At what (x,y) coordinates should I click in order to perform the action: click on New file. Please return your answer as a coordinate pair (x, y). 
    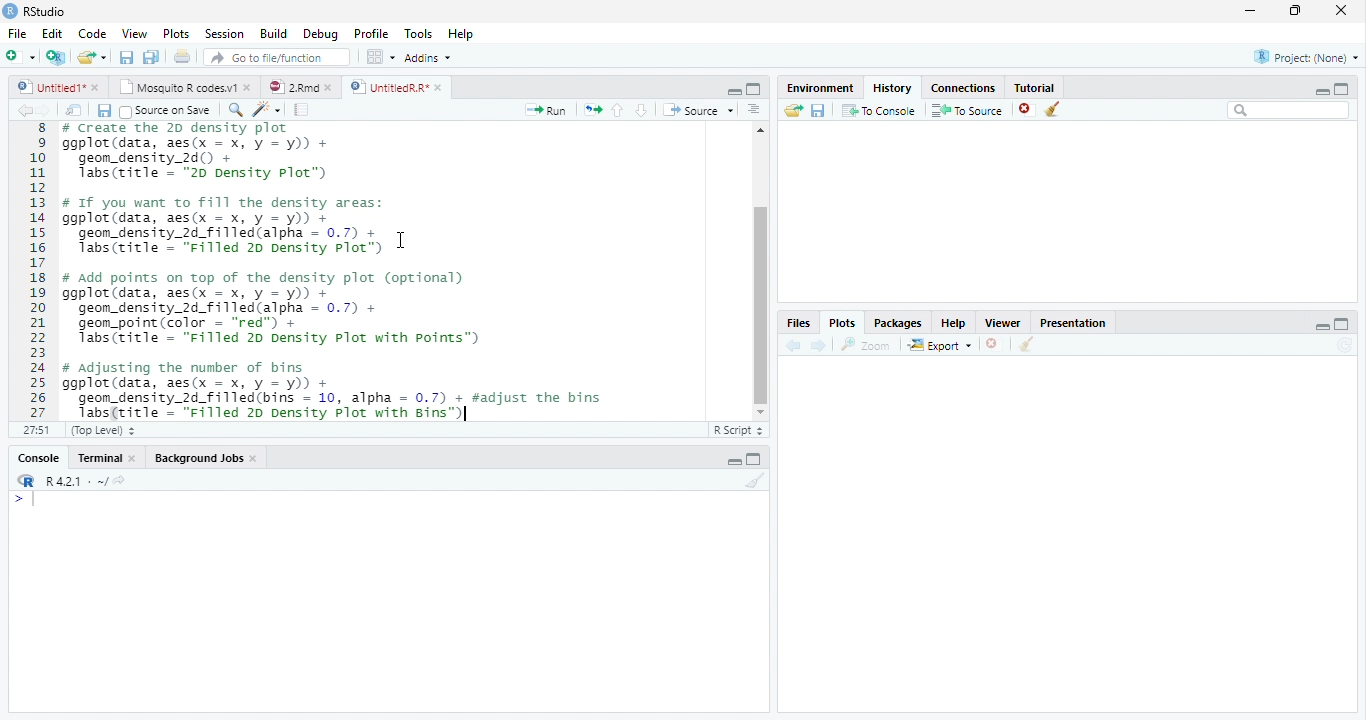
    Looking at the image, I should click on (20, 57).